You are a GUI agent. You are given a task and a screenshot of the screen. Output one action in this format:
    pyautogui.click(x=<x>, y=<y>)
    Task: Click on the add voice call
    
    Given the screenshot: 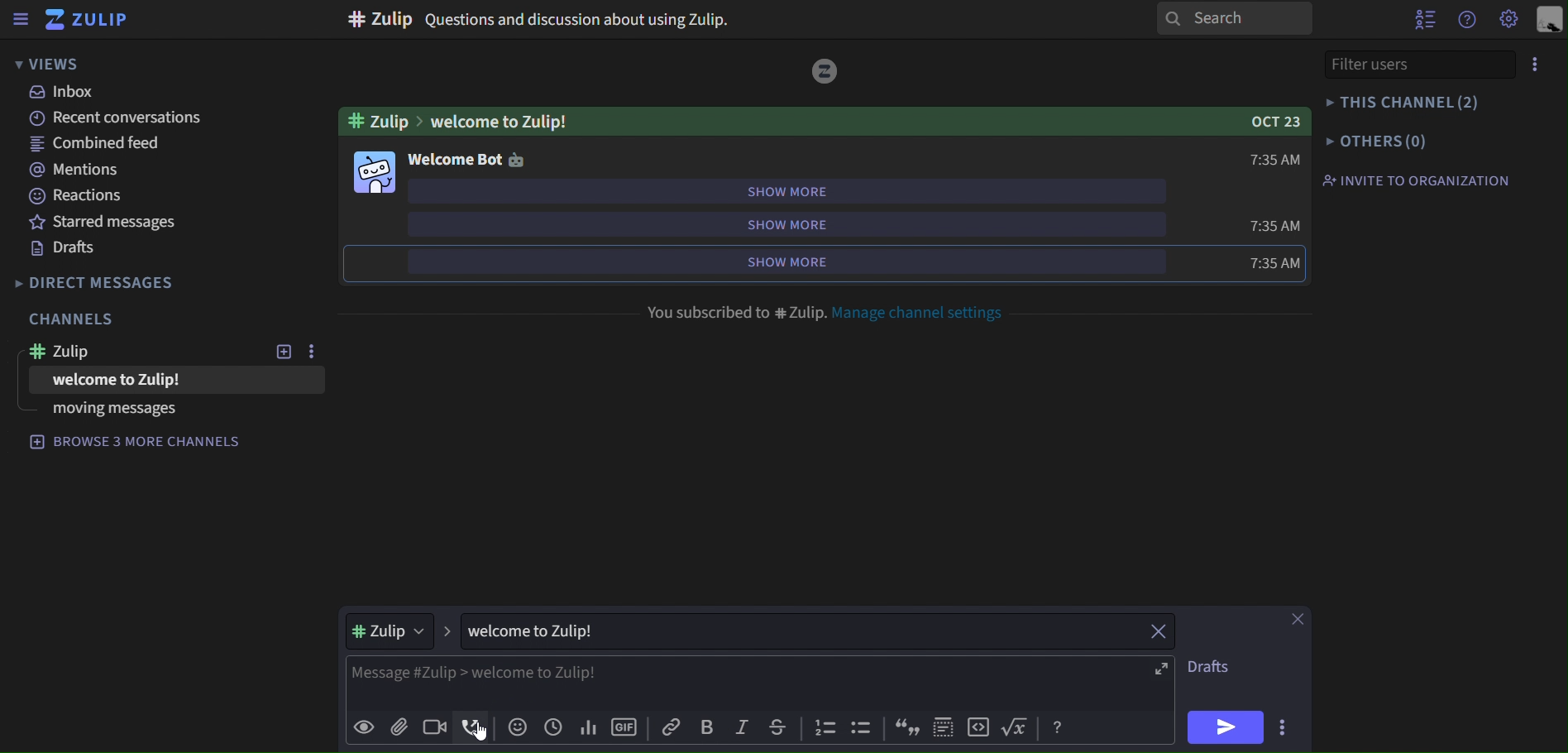 What is the action you would take?
    pyautogui.click(x=471, y=727)
    